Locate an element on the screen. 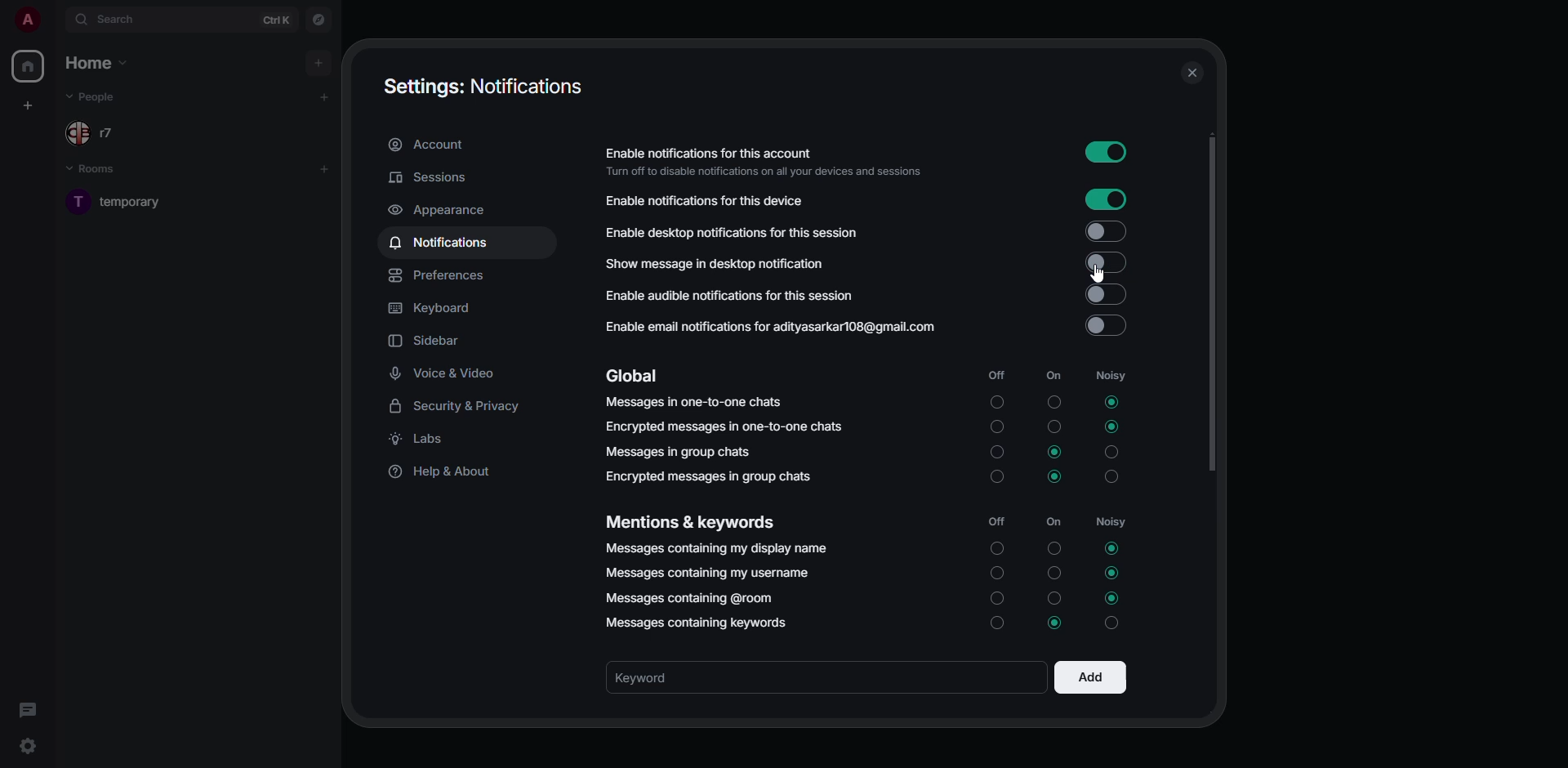  messages containing keywords is located at coordinates (698, 623).